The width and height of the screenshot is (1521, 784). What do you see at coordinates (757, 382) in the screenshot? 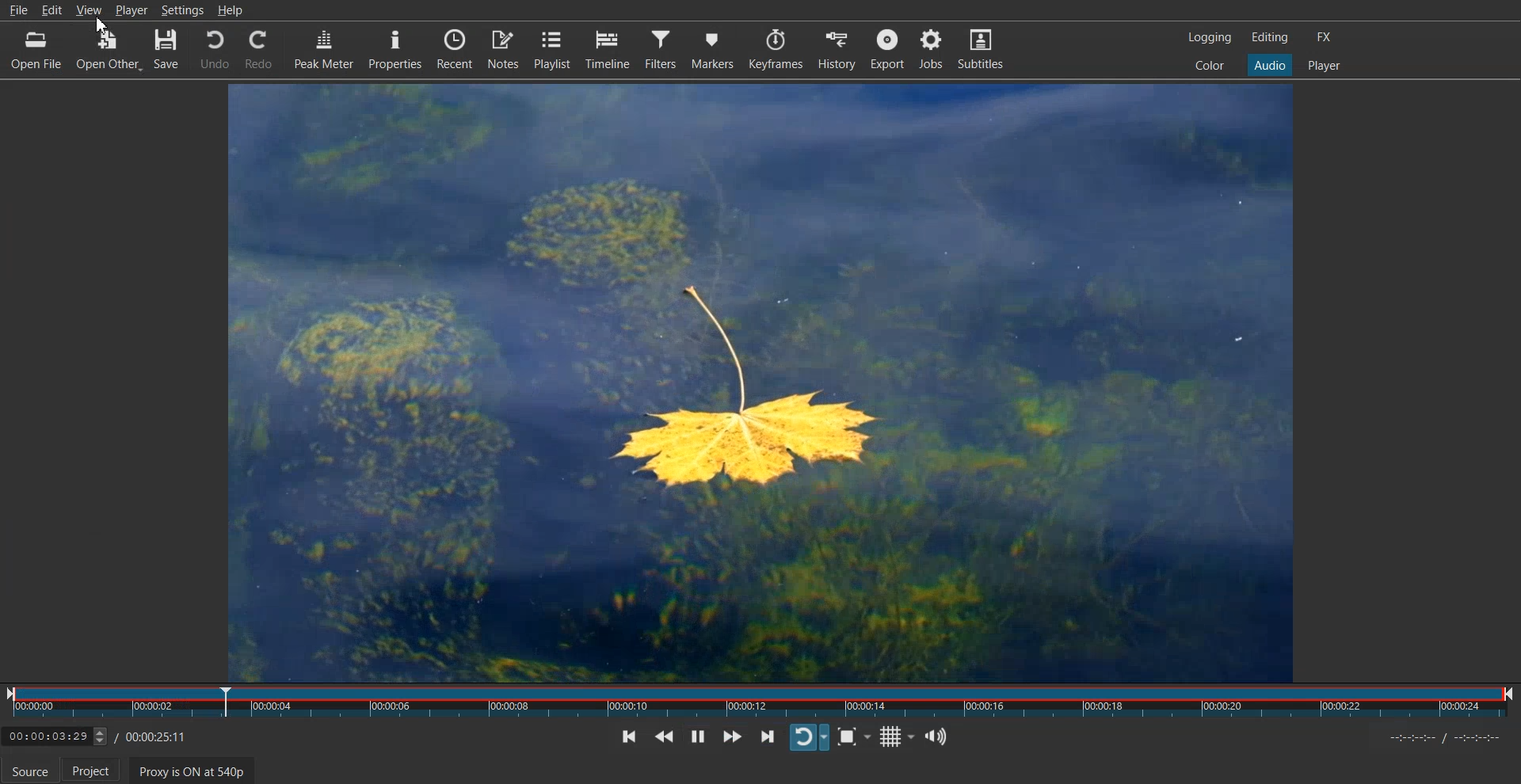
I see `Video preview mode` at bounding box center [757, 382].